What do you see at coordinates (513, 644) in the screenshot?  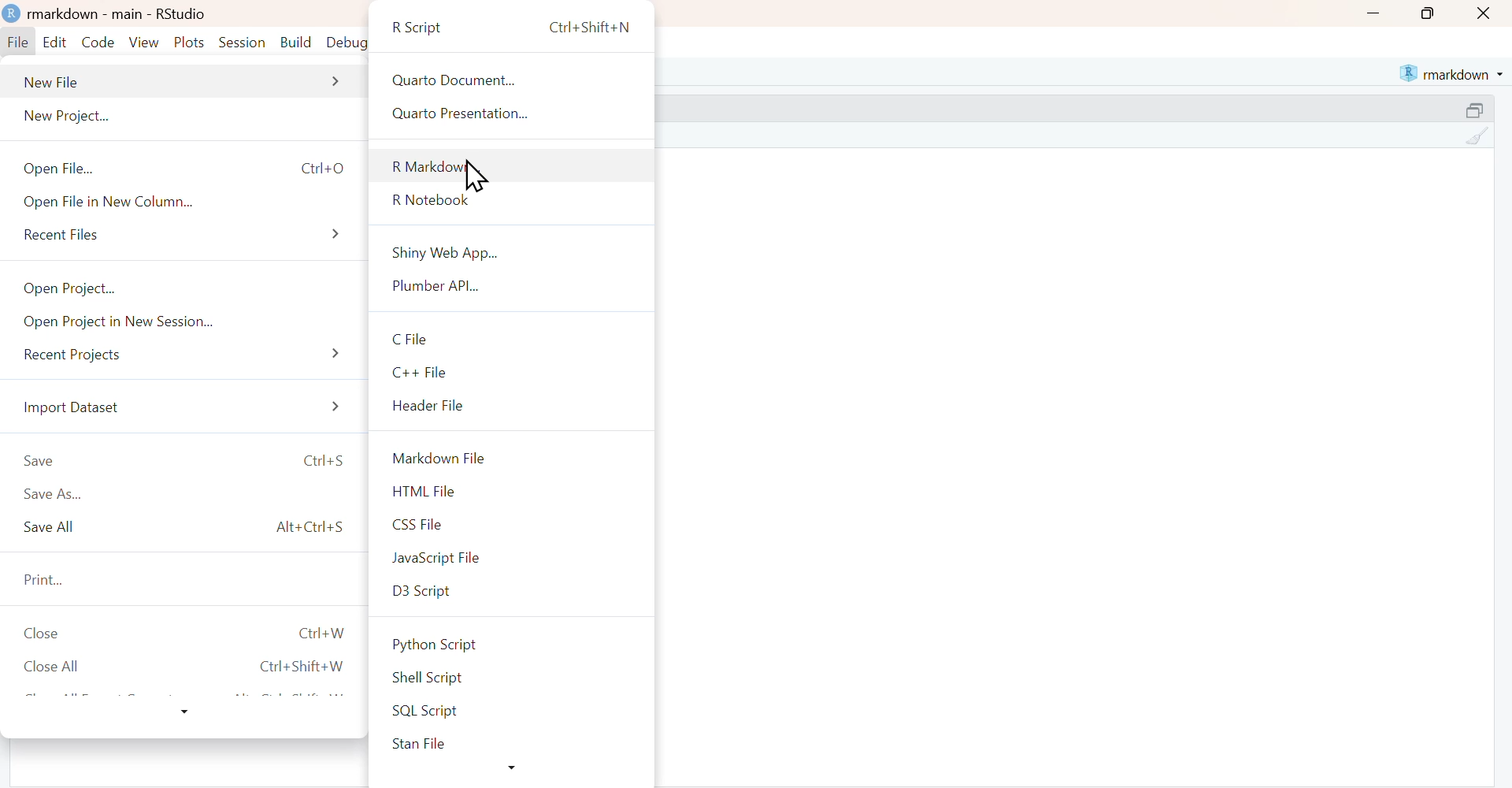 I see `Python Script` at bounding box center [513, 644].